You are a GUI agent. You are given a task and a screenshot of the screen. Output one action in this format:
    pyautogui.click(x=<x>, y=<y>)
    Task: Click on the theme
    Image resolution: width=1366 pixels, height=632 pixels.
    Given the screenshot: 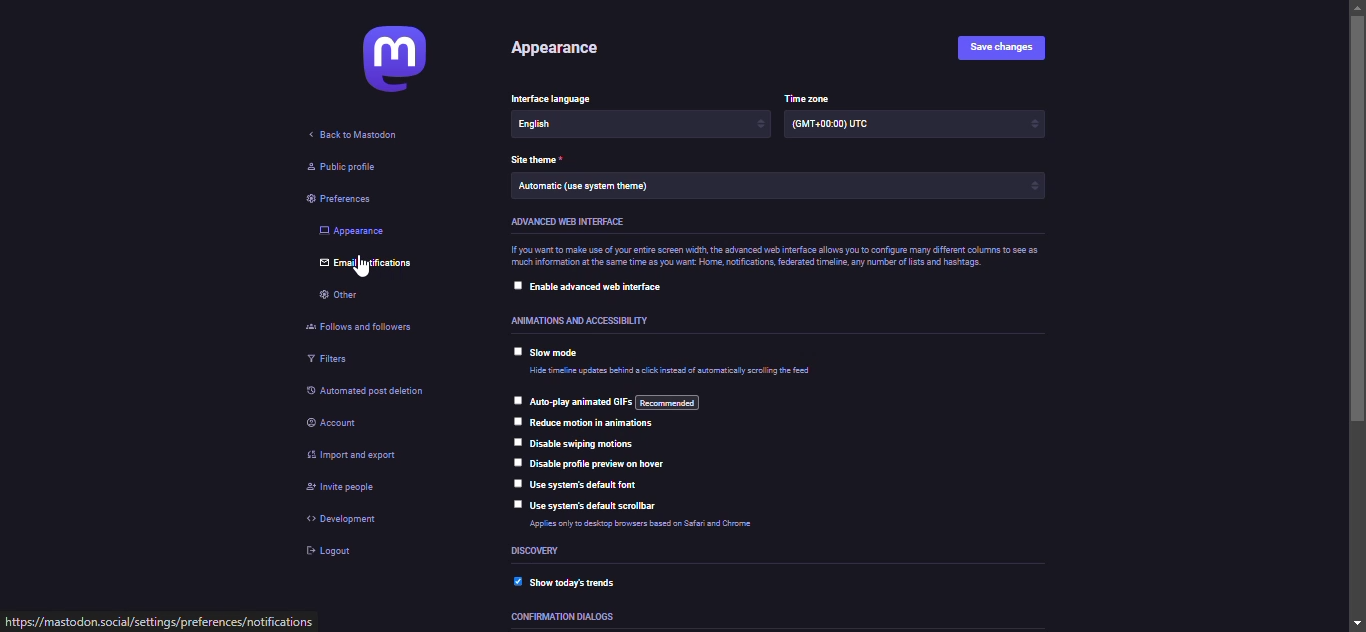 What is the action you would take?
    pyautogui.click(x=537, y=159)
    